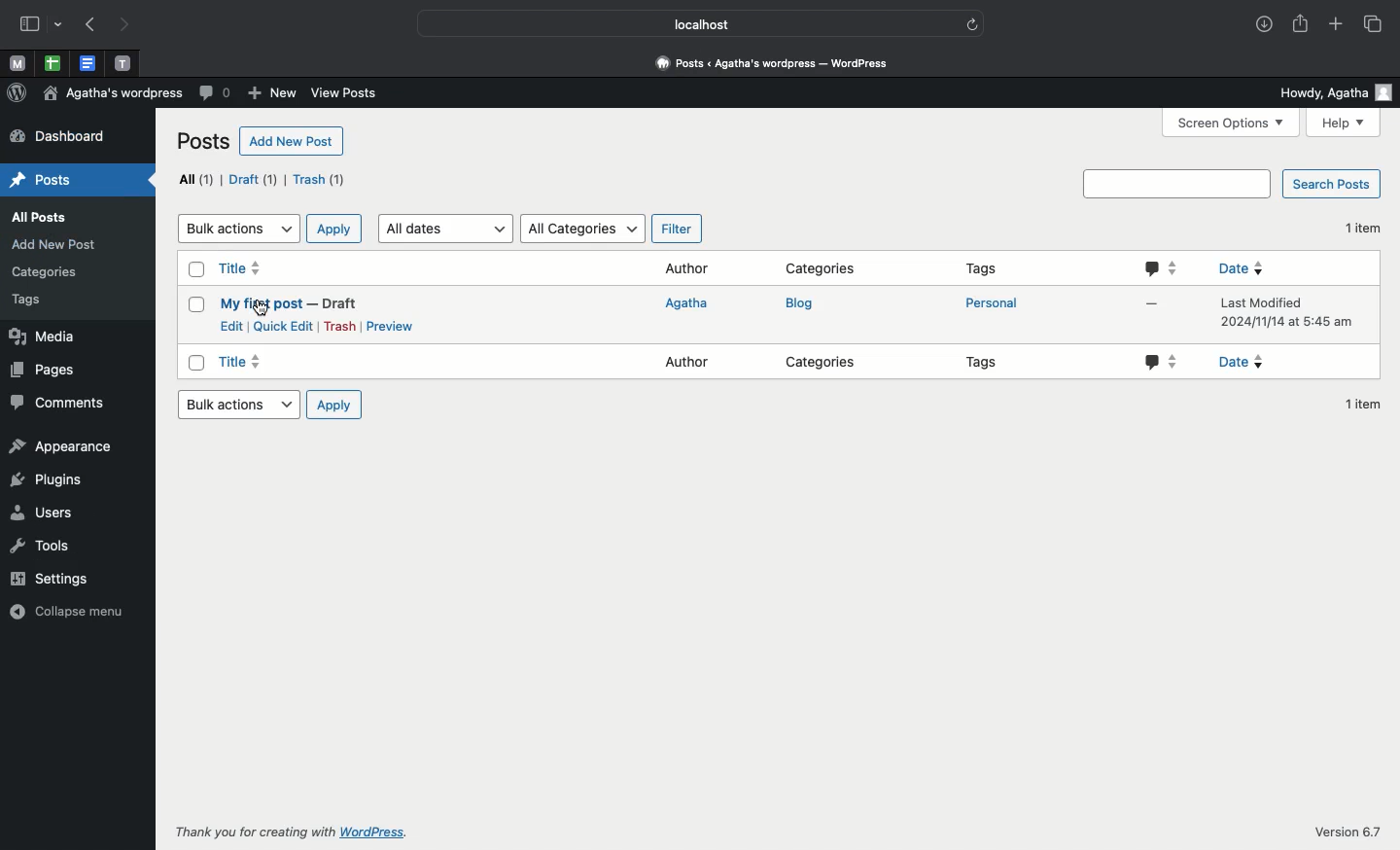 This screenshot has height=850, width=1400. I want to click on All dates, so click(445, 228).